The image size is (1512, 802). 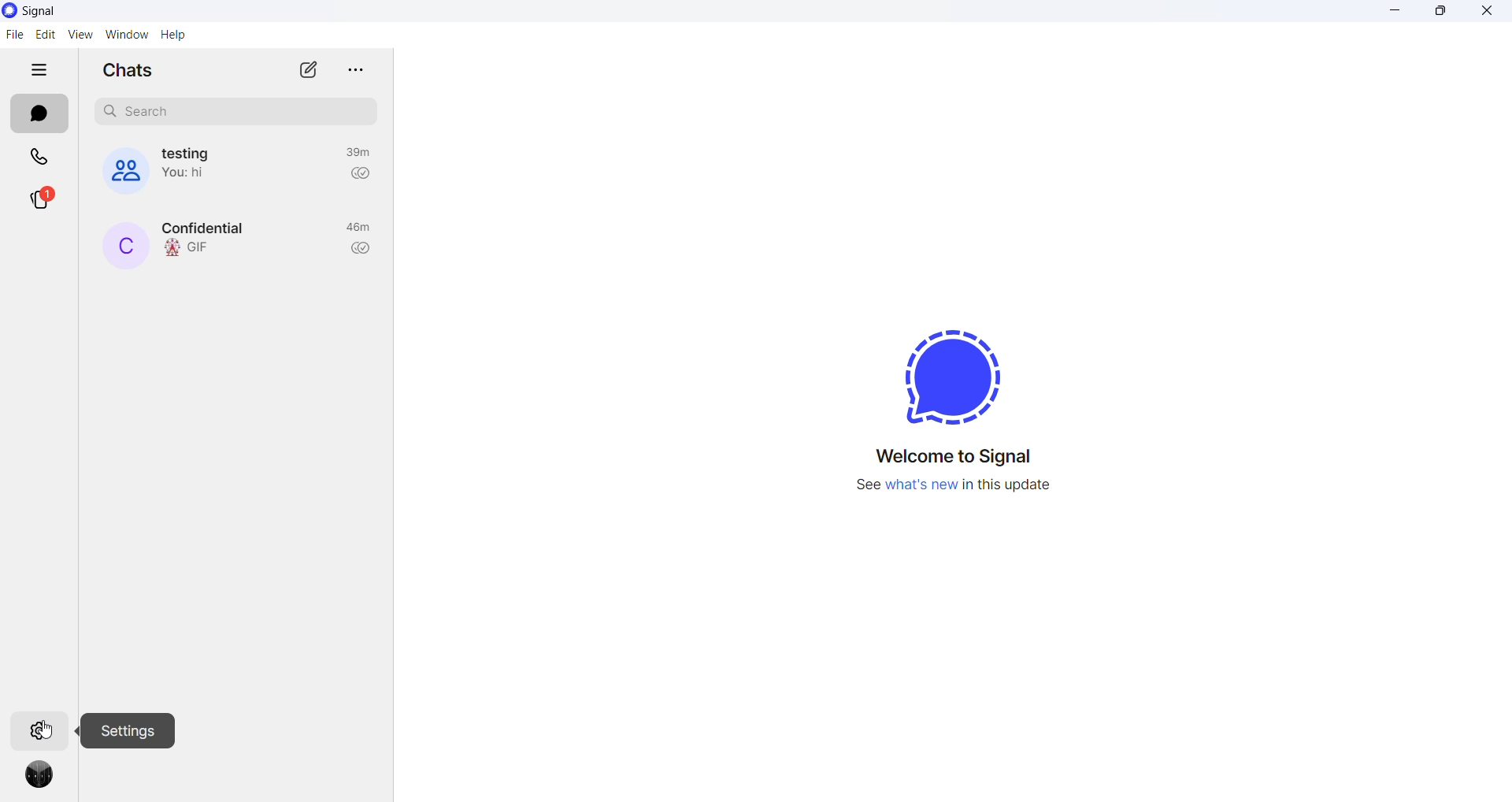 I want to click on chats, so click(x=36, y=115).